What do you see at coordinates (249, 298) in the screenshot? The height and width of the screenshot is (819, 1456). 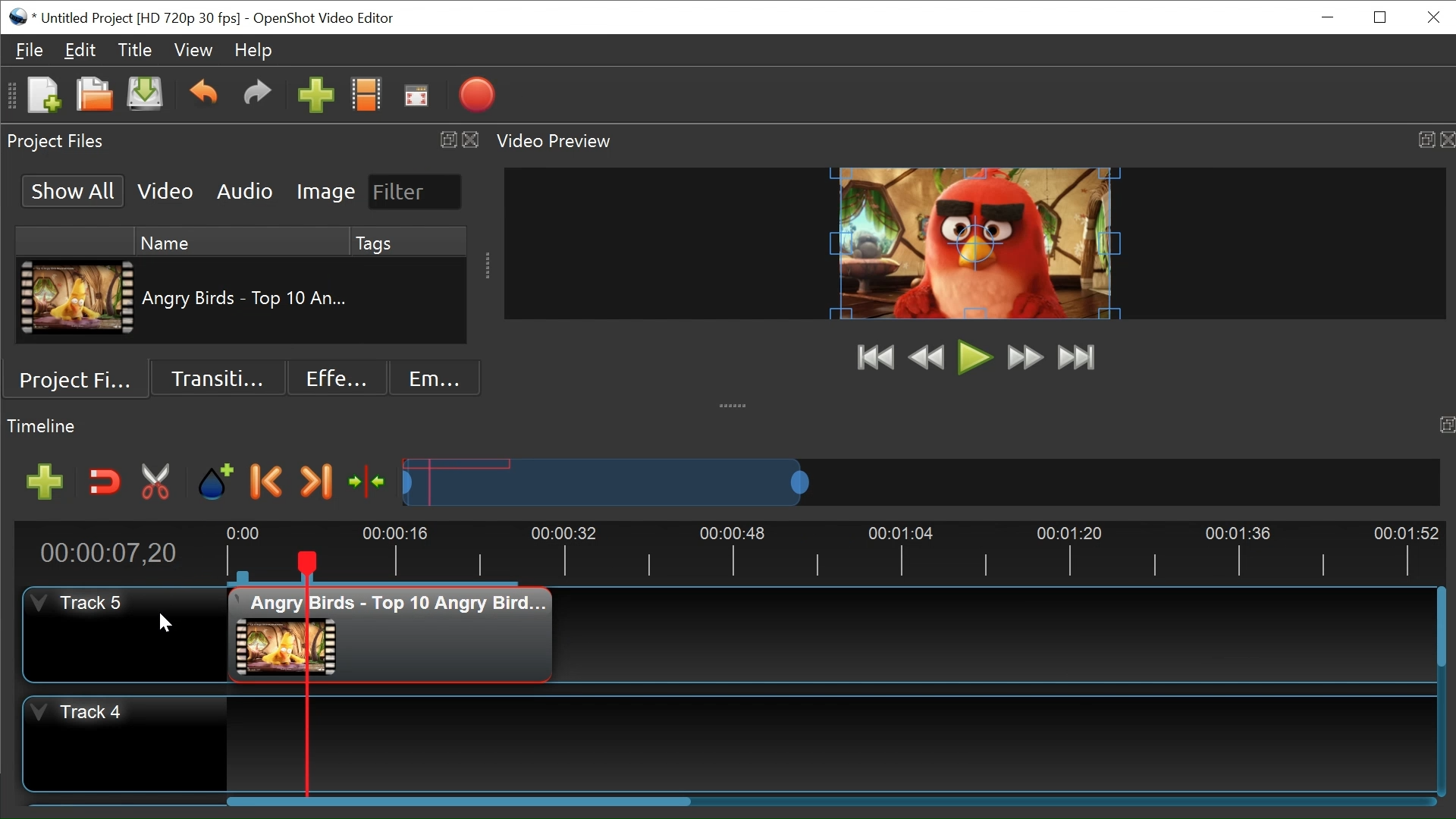 I see `Clip Nmae` at bounding box center [249, 298].